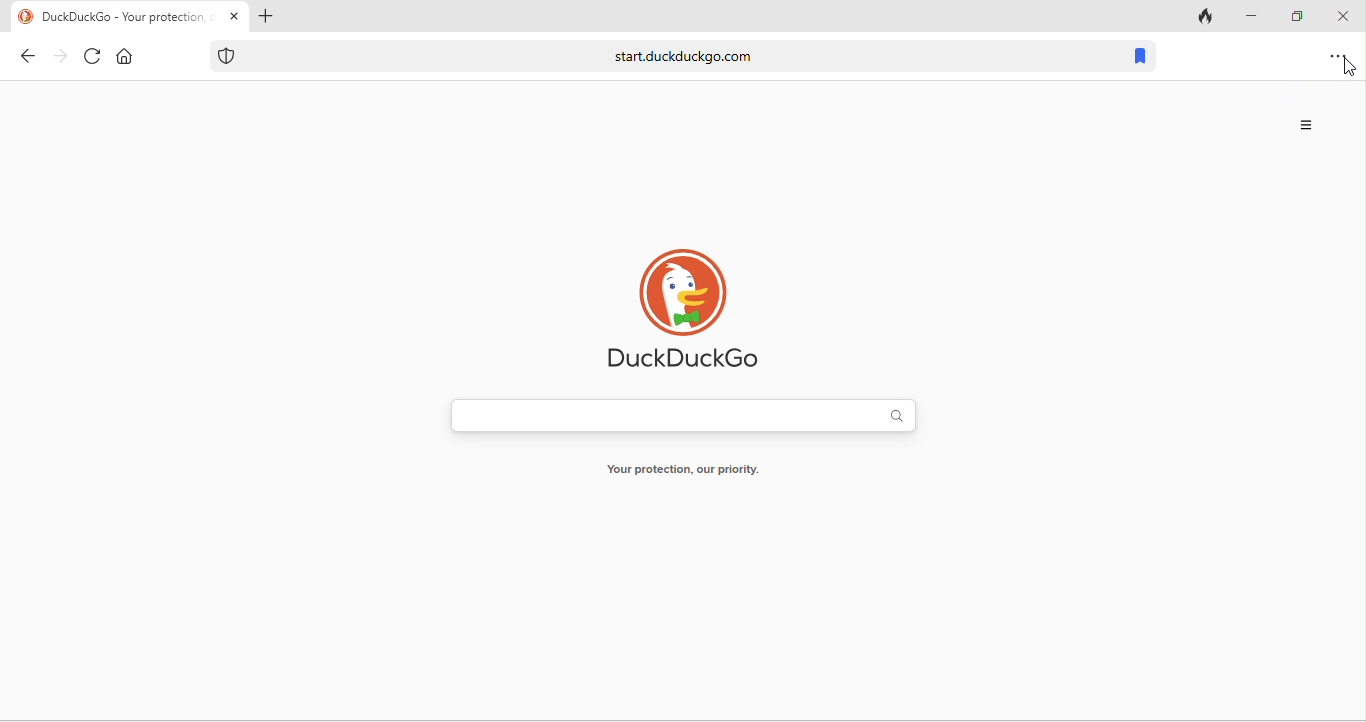 Image resolution: width=1366 pixels, height=722 pixels. I want to click on minimize, so click(1252, 15).